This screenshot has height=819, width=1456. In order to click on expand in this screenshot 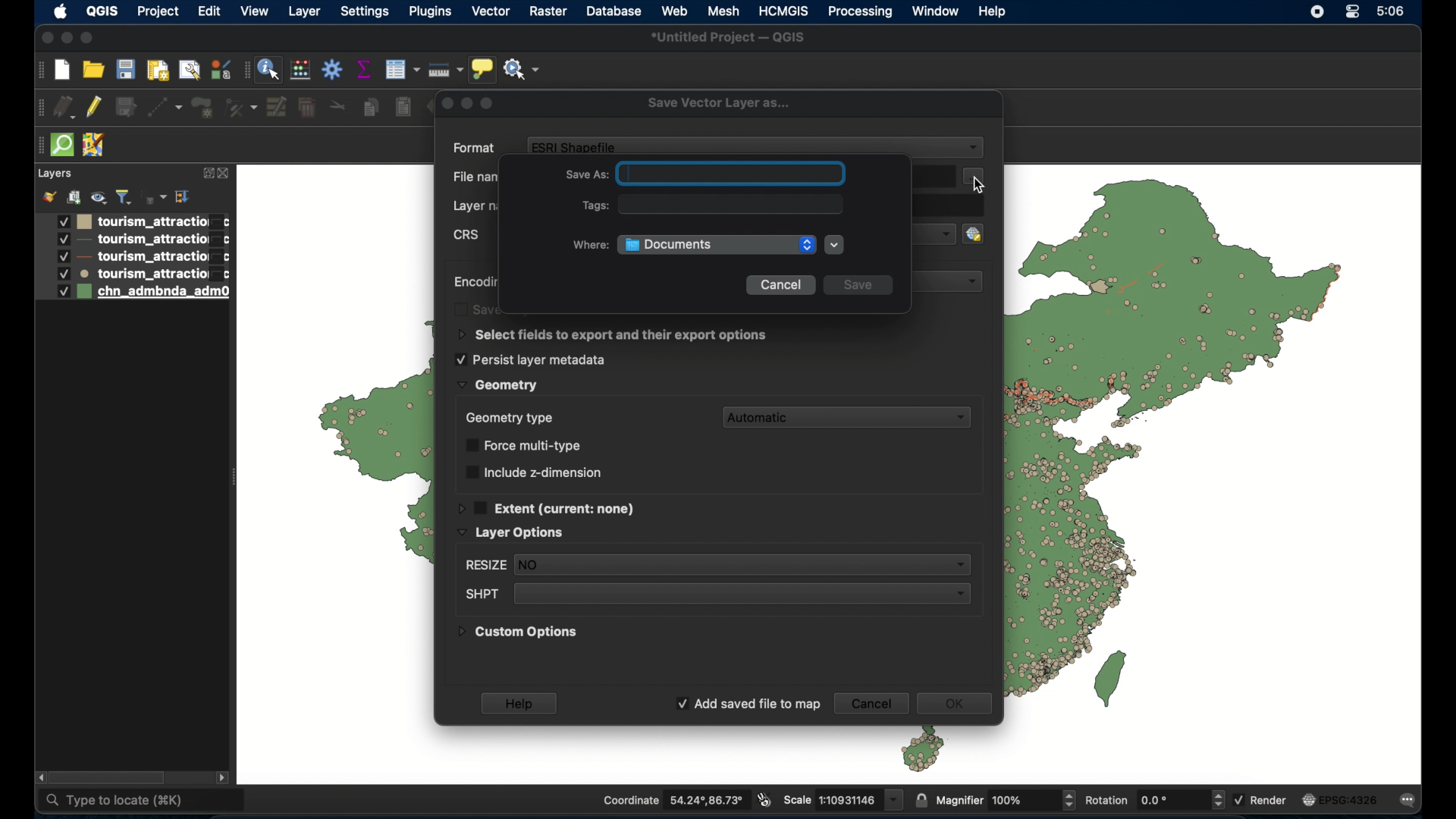, I will do `click(206, 174)`.